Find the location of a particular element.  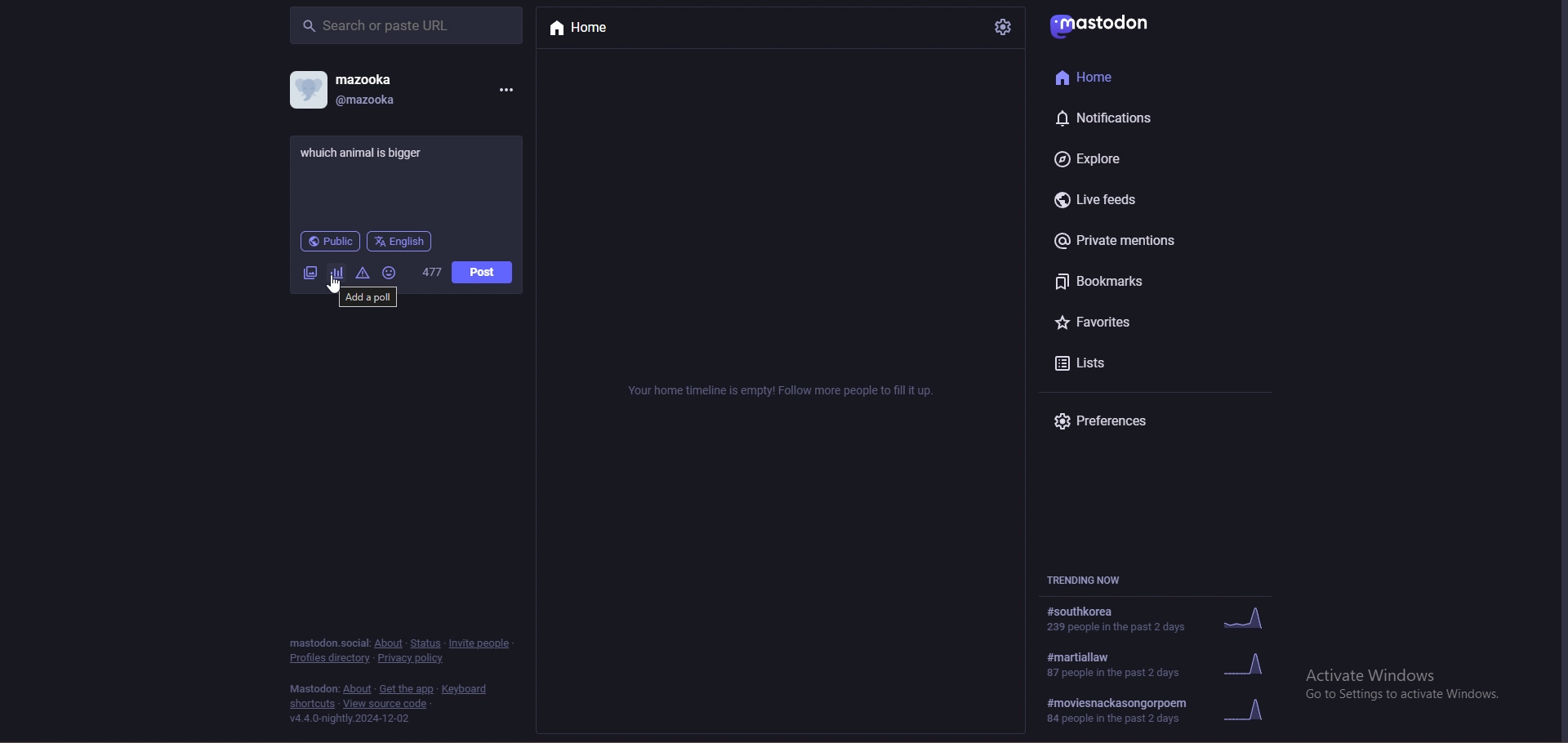

word limit is located at coordinates (431, 271).